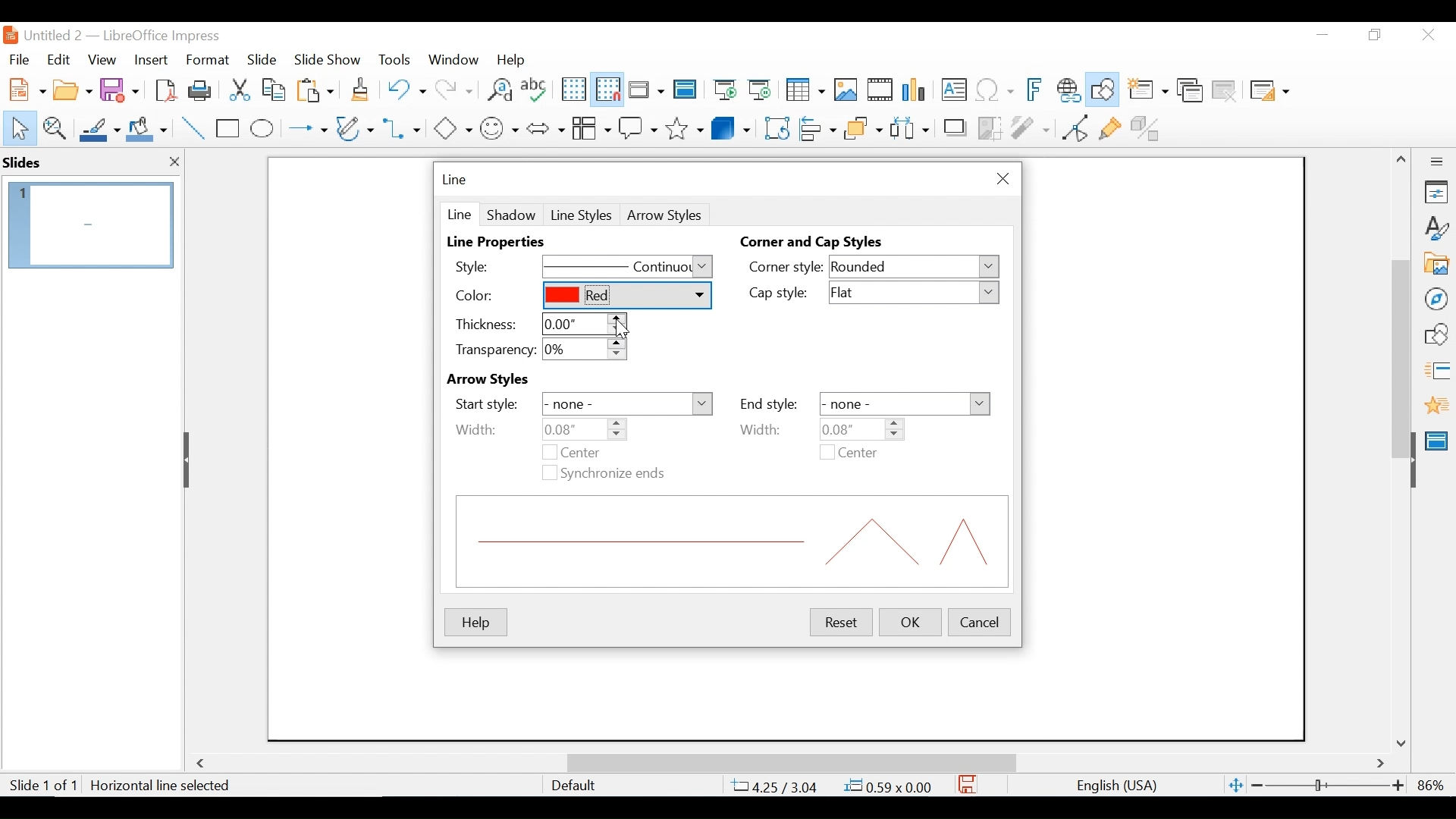  I want to click on Show Gluepoint Functions, so click(1109, 127).